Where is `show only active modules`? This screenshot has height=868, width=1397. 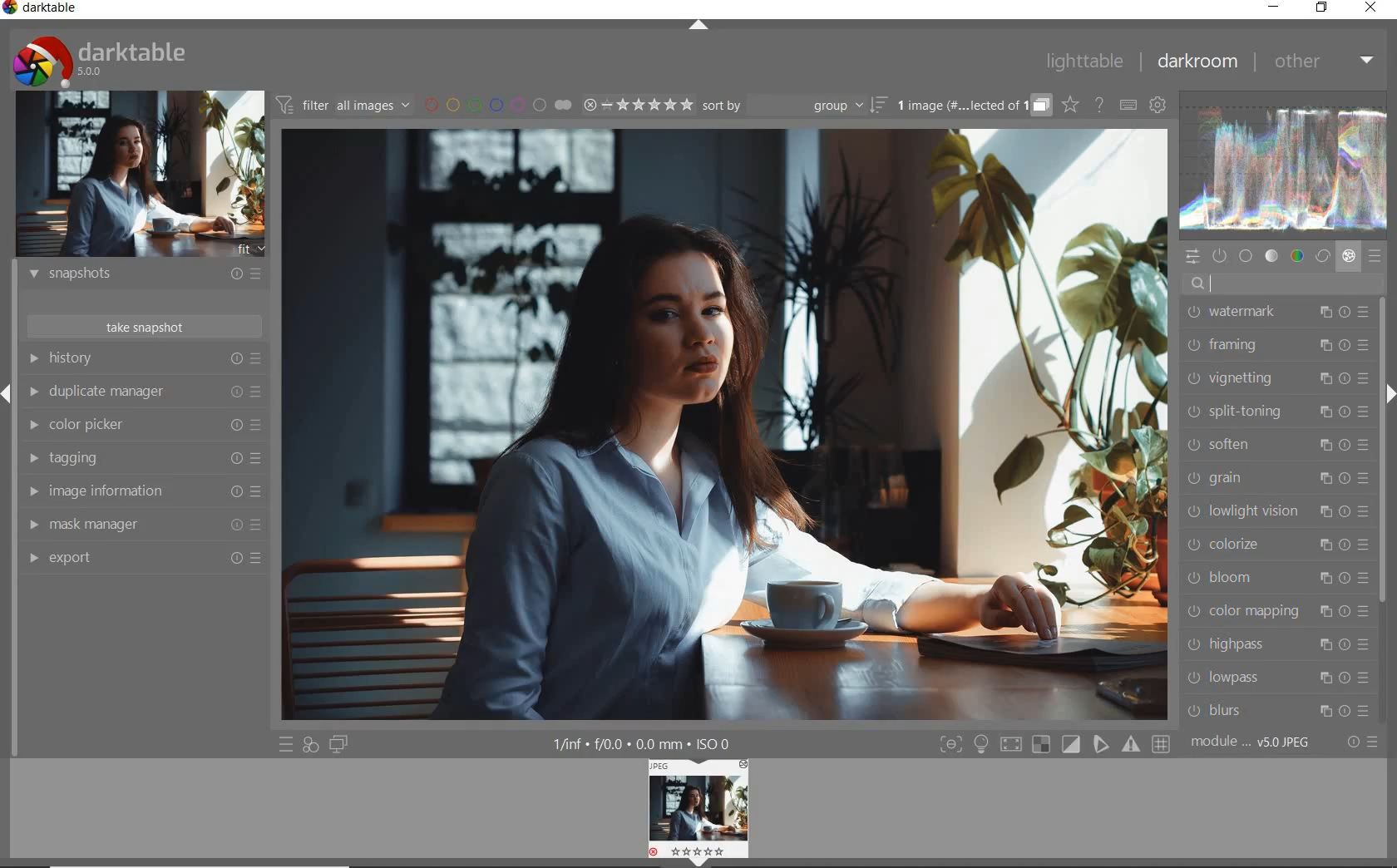 show only active modules is located at coordinates (1221, 254).